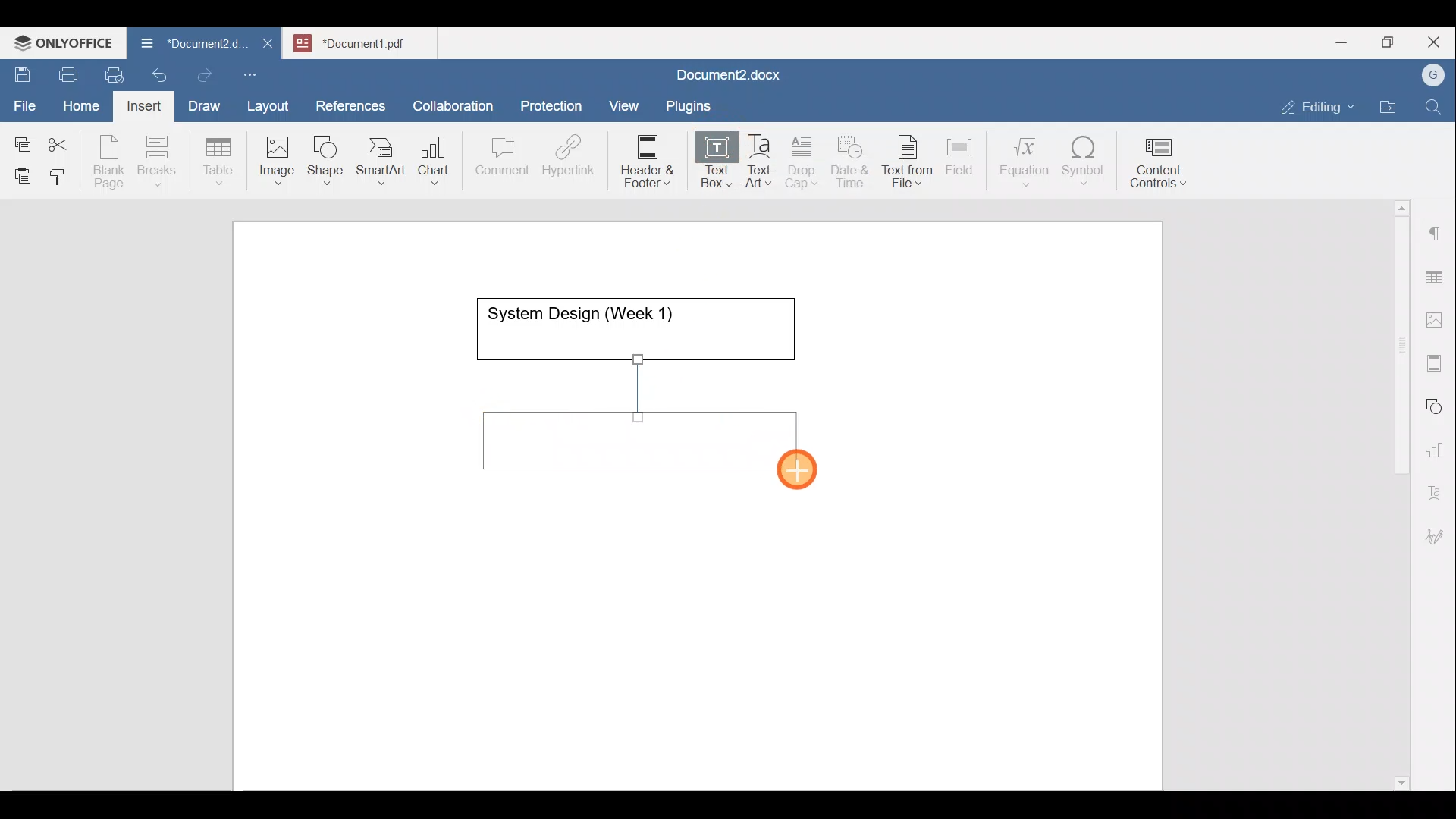  Describe the element at coordinates (110, 73) in the screenshot. I see `Quick print` at that location.